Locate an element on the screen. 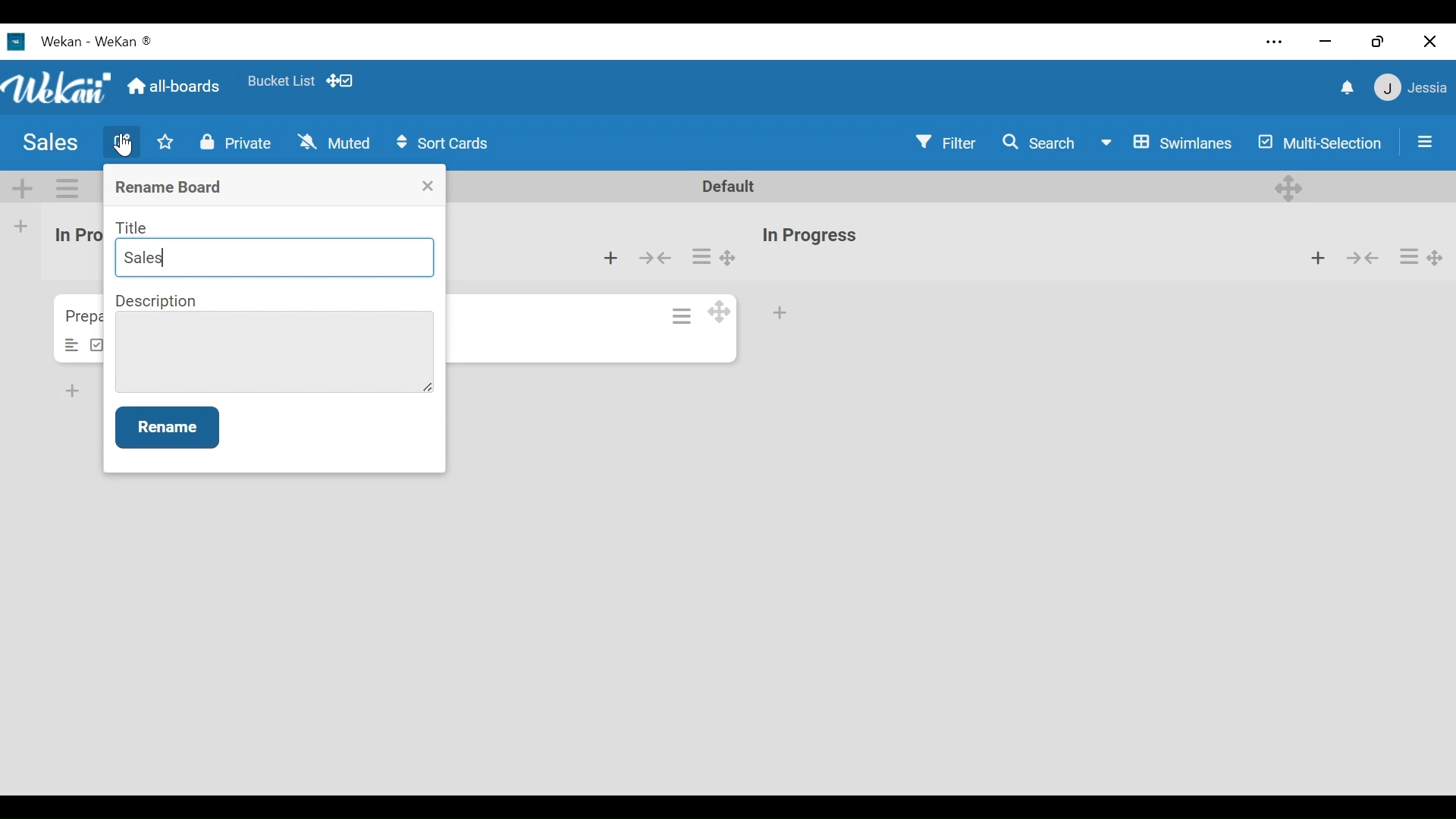 Image resolution: width=1456 pixels, height=819 pixels. Add card to the top of the list is located at coordinates (1316, 256).